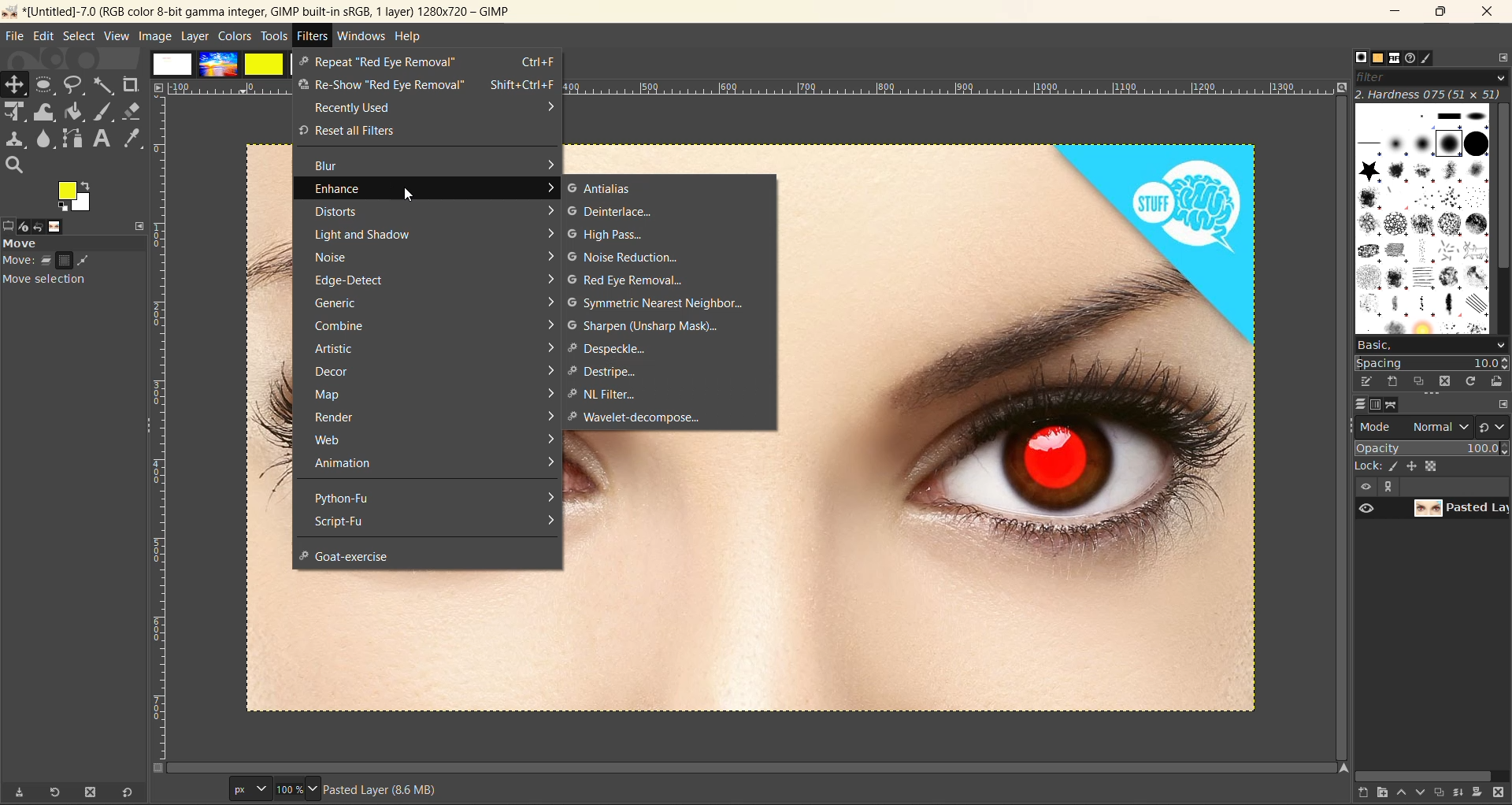  I want to click on rectangle select, so click(47, 85).